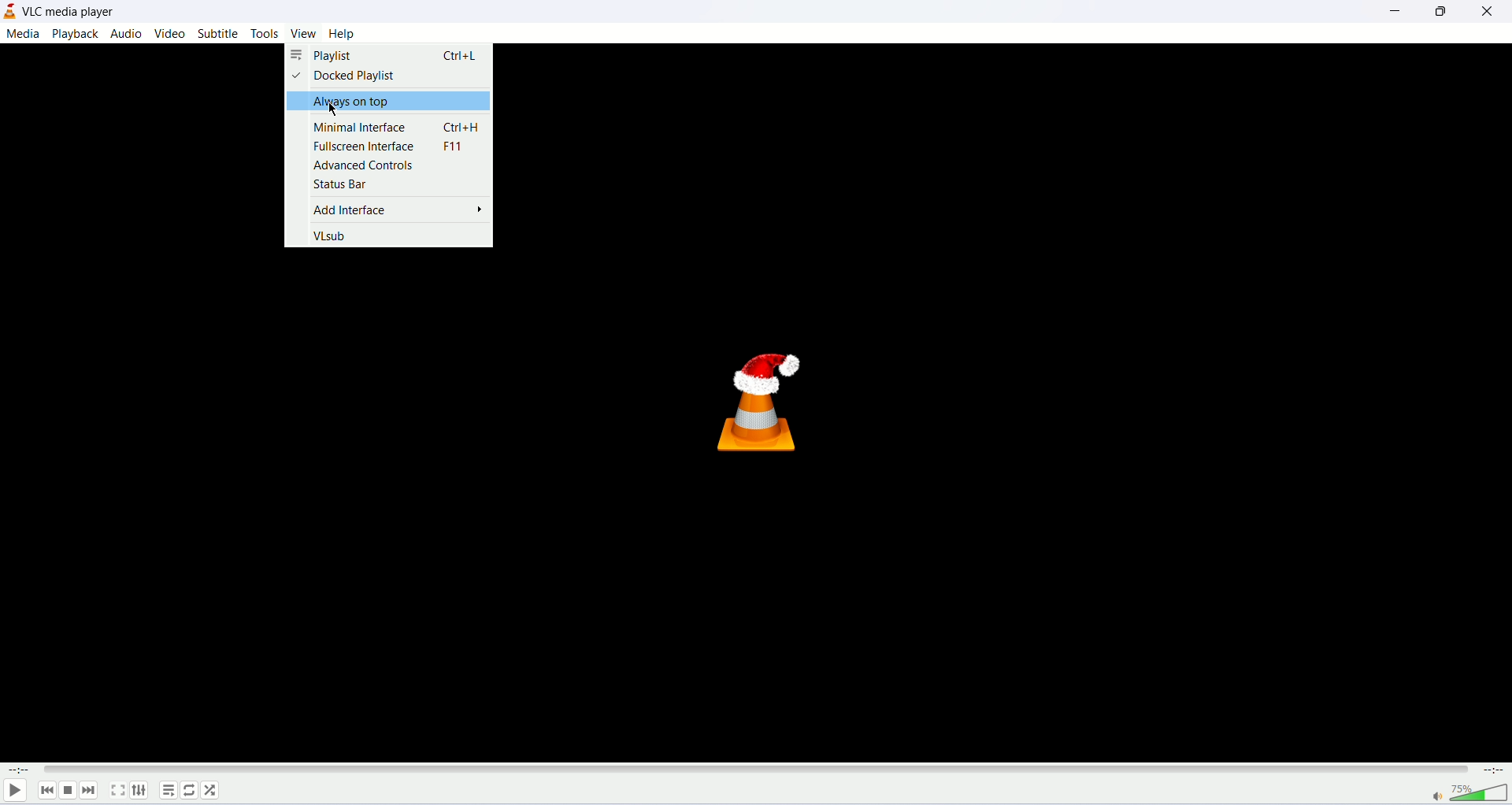 This screenshot has height=805, width=1512. What do you see at coordinates (1496, 771) in the screenshot?
I see `total time` at bounding box center [1496, 771].